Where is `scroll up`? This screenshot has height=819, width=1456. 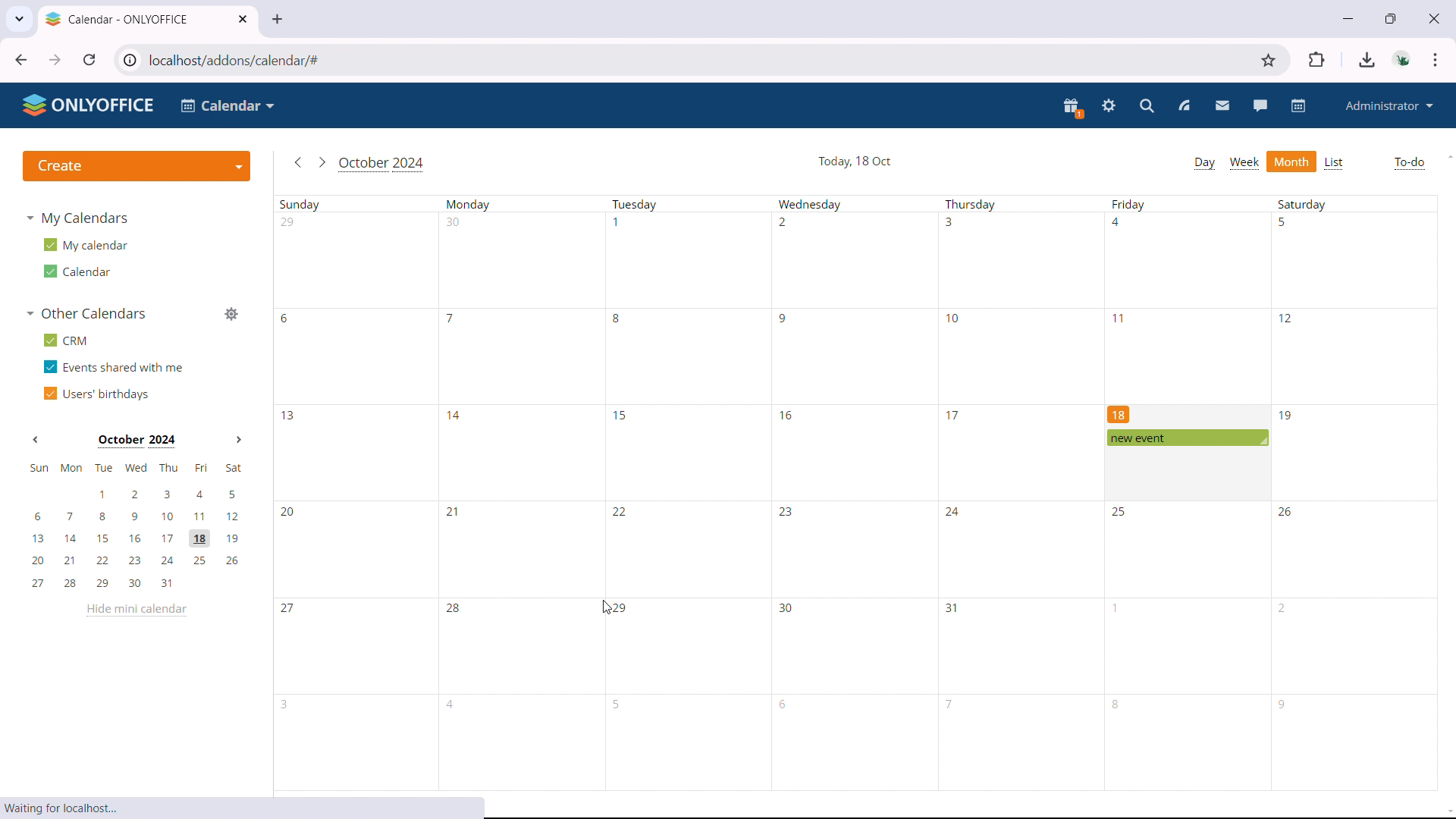
scroll up is located at coordinates (1447, 155).